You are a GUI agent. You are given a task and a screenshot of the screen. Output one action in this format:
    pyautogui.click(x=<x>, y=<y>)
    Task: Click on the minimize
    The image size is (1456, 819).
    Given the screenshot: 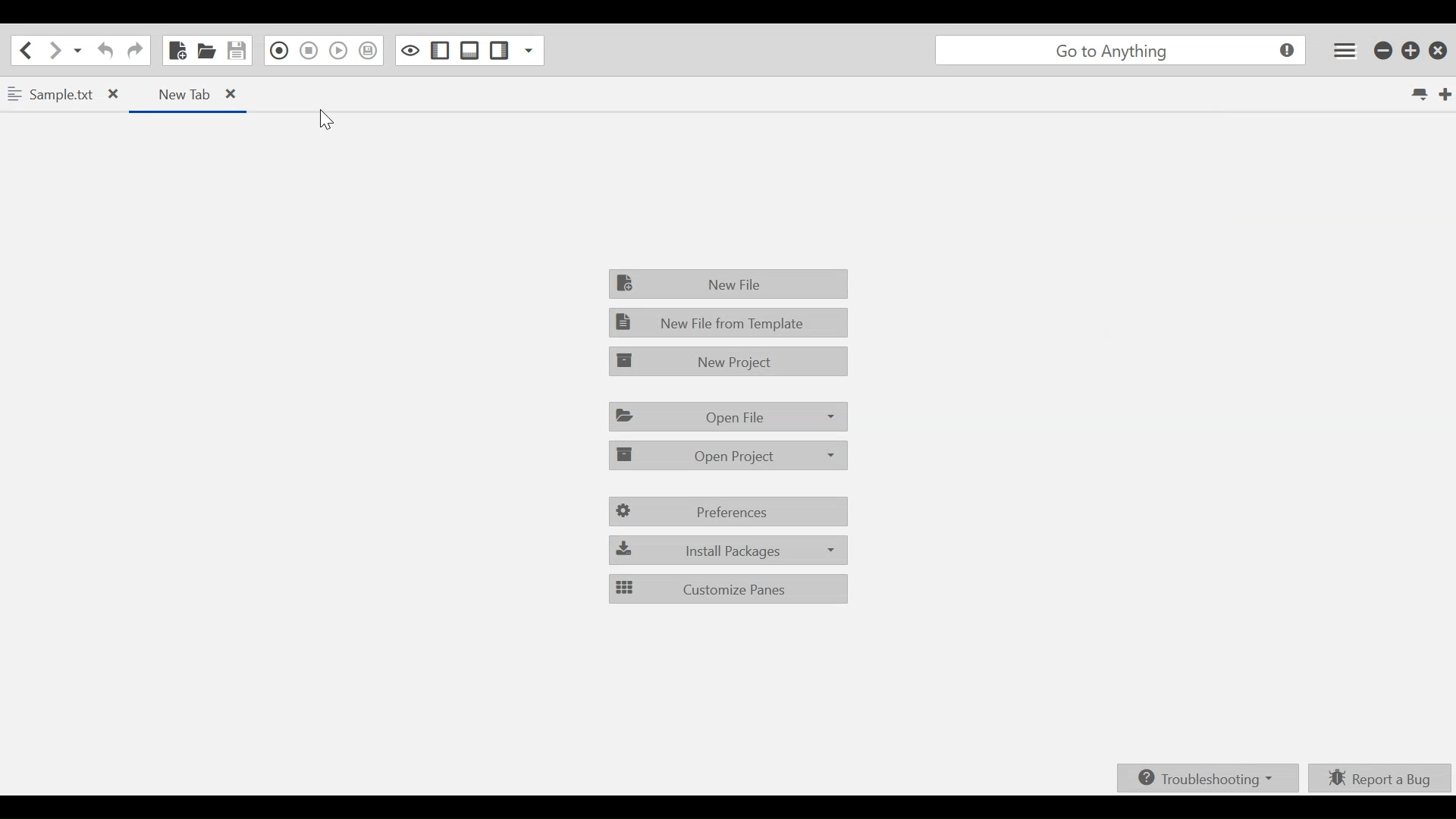 What is the action you would take?
    pyautogui.click(x=1384, y=50)
    